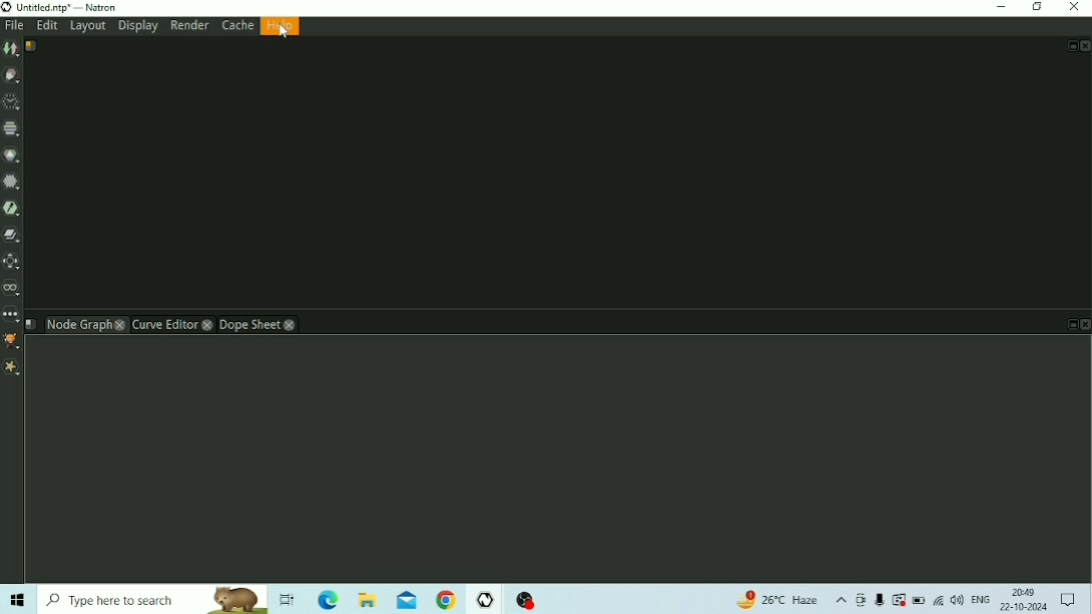 This screenshot has width=1092, height=614. I want to click on Float Pane, so click(1069, 324).